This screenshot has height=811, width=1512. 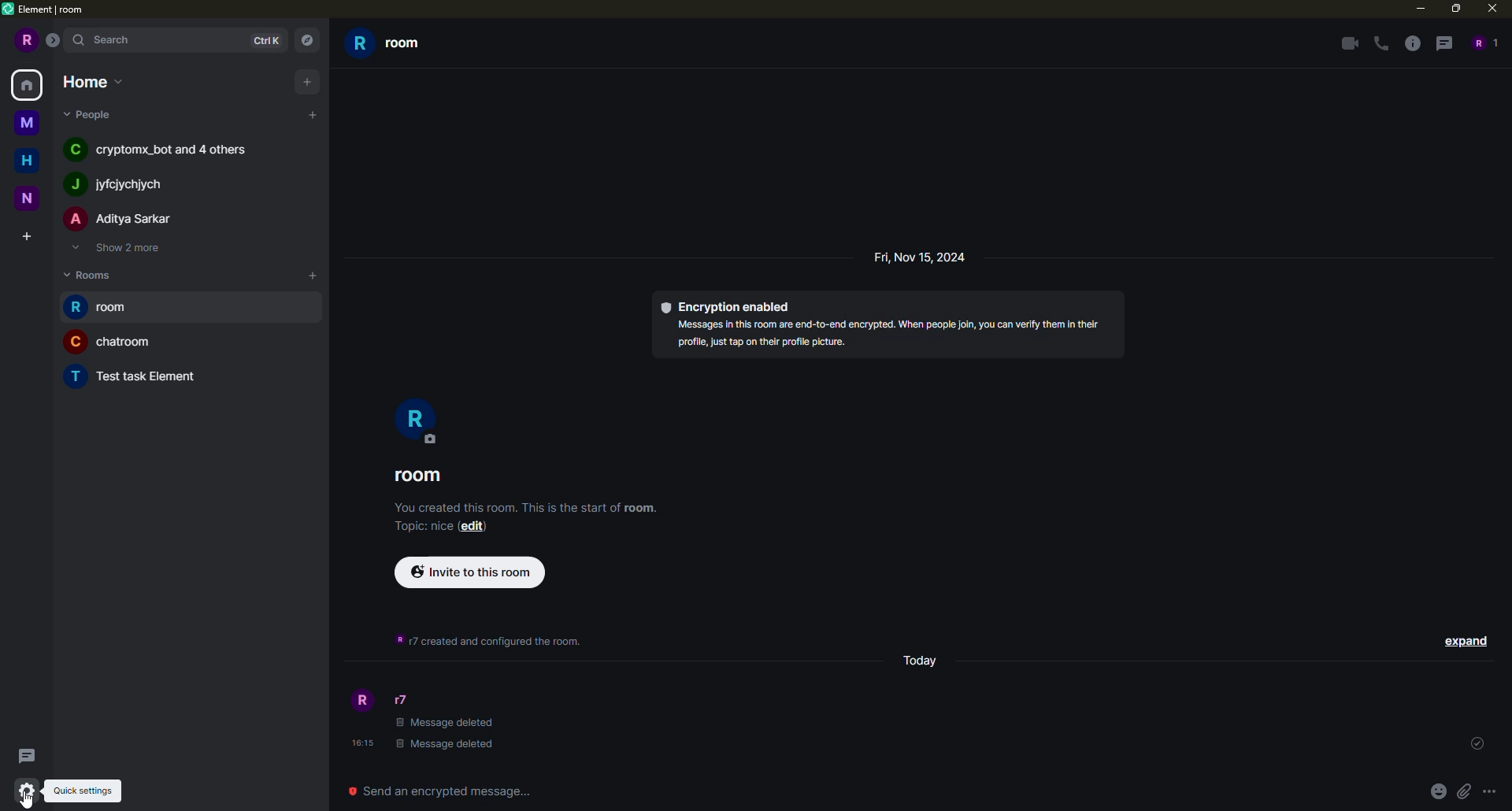 I want to click on cursor, so click(x=25, y=802).